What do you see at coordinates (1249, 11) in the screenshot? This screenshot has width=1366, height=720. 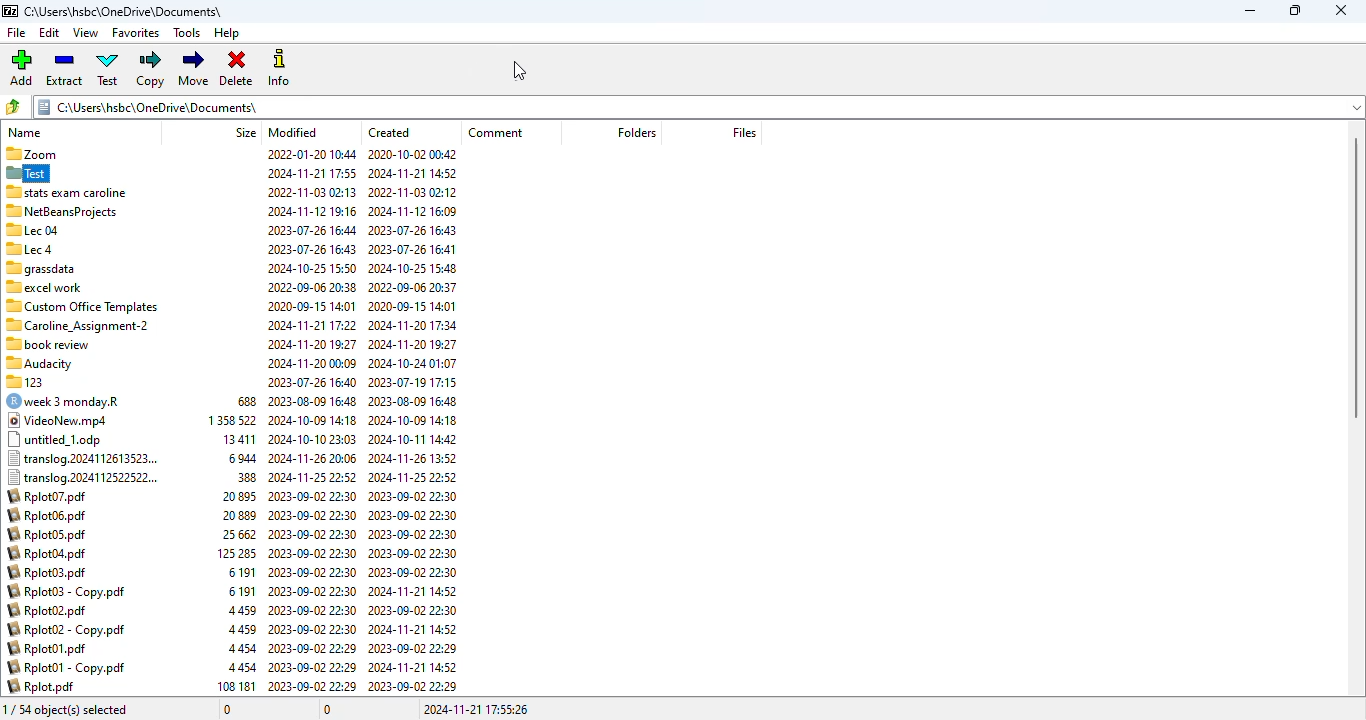 I see `minimize` at bounding box center [1249, 11].